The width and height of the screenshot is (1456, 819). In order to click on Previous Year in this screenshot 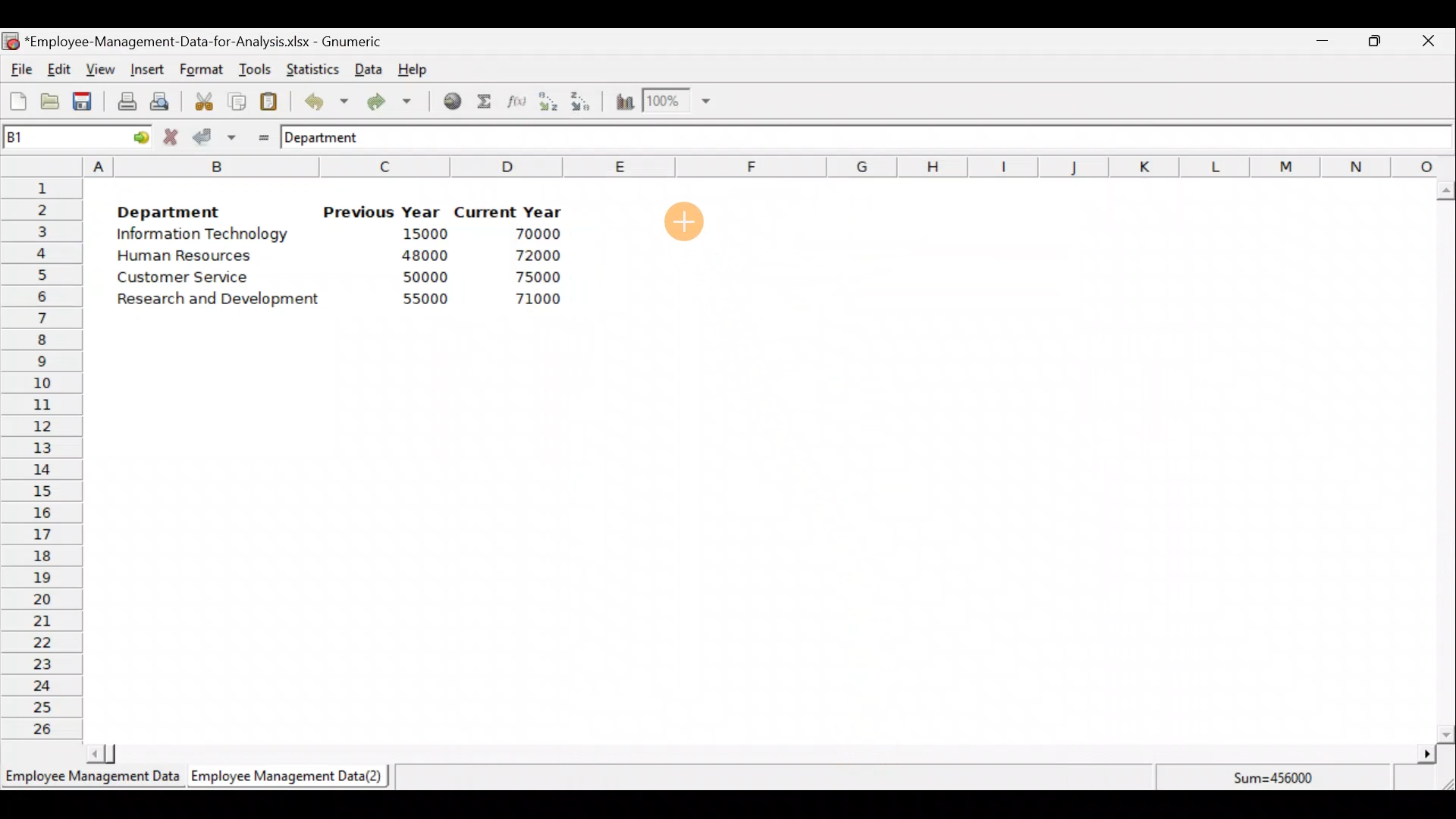, I will do `click(382, 212)`.